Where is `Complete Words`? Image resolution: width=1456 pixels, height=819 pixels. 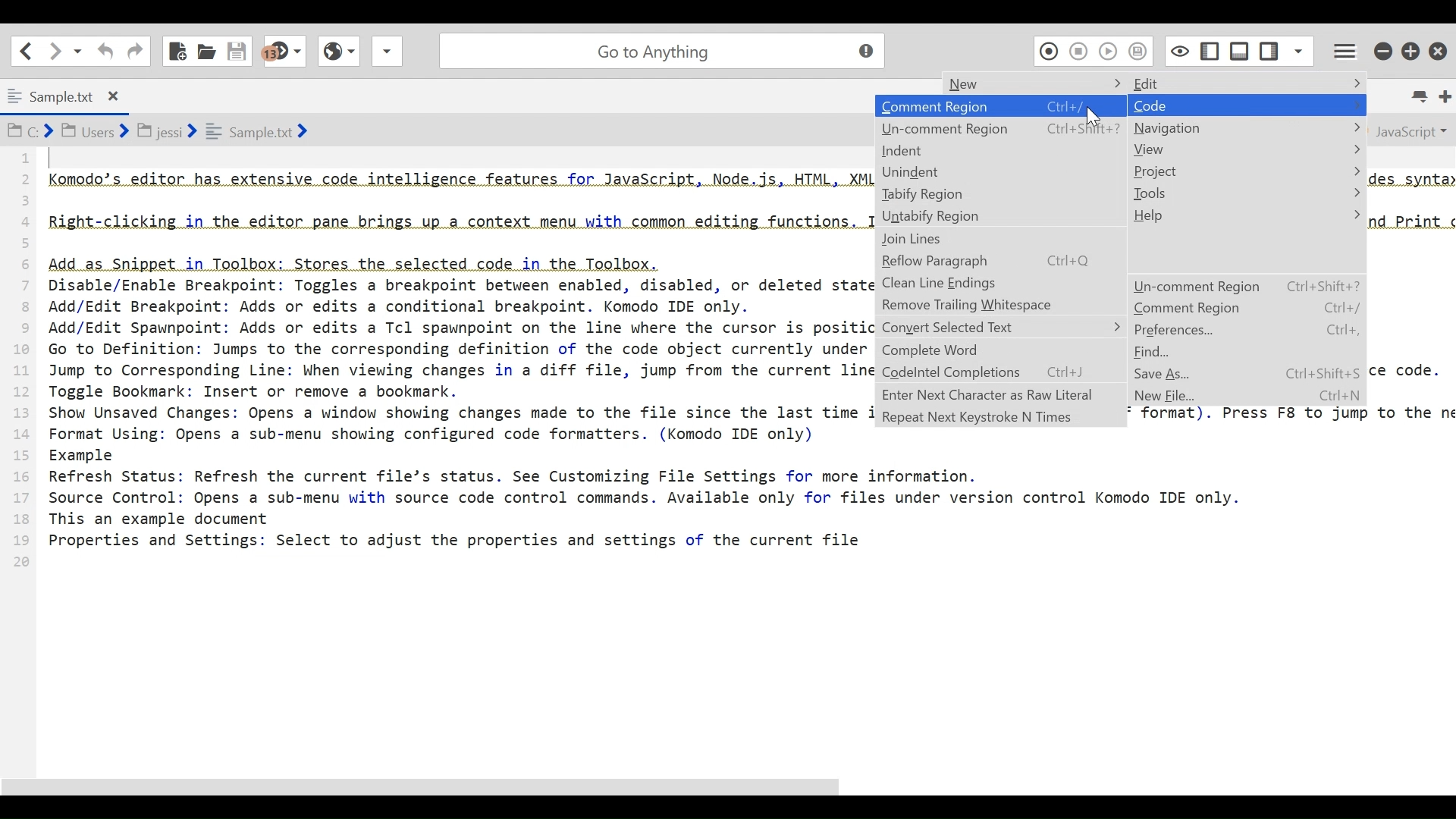 Complete Words is located at coordinates (1000, 350).